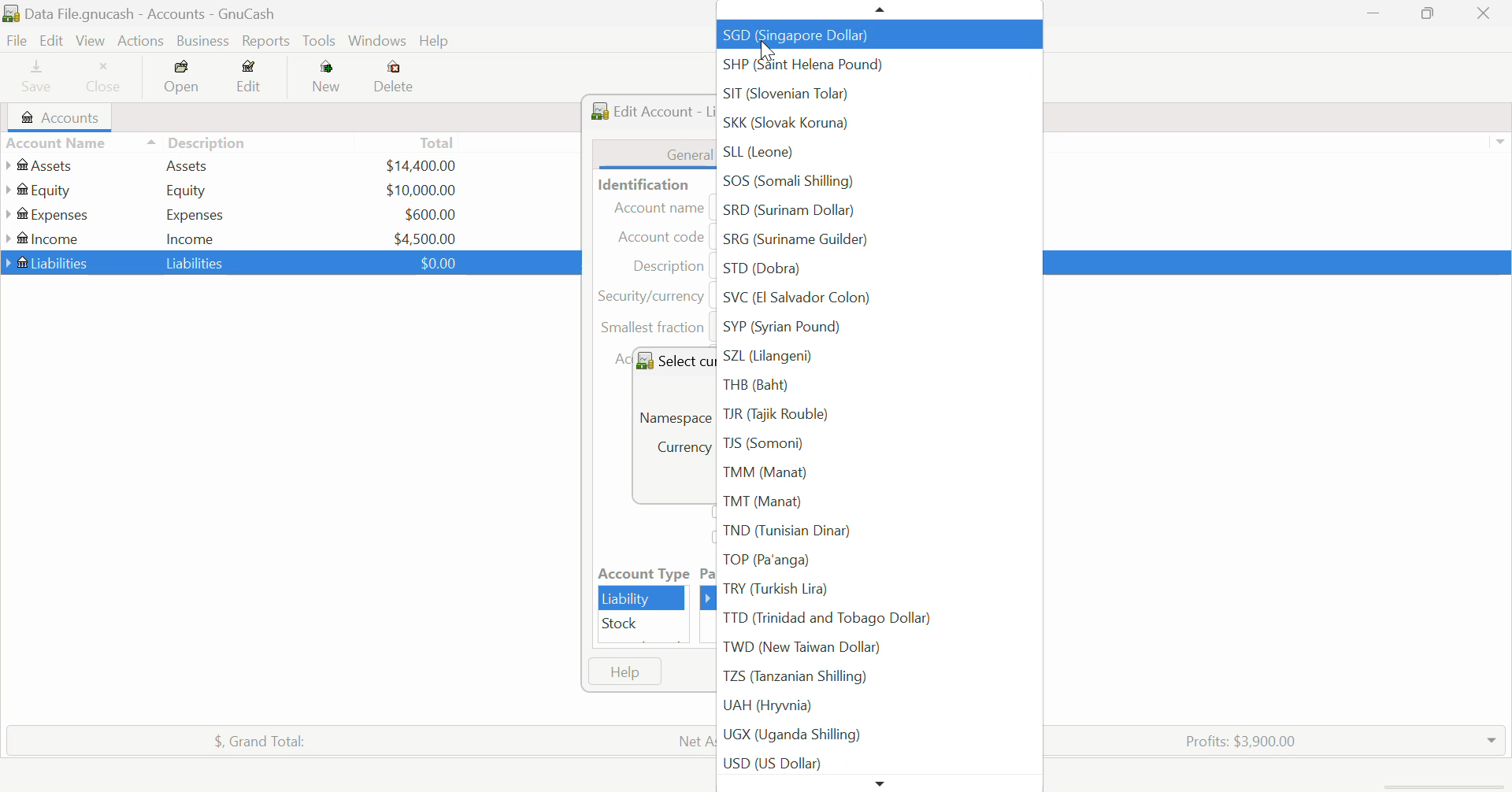 The width and height of the screenshot is (1512, 792). I want to click on Accounts Tab Open, so click(65, 117).